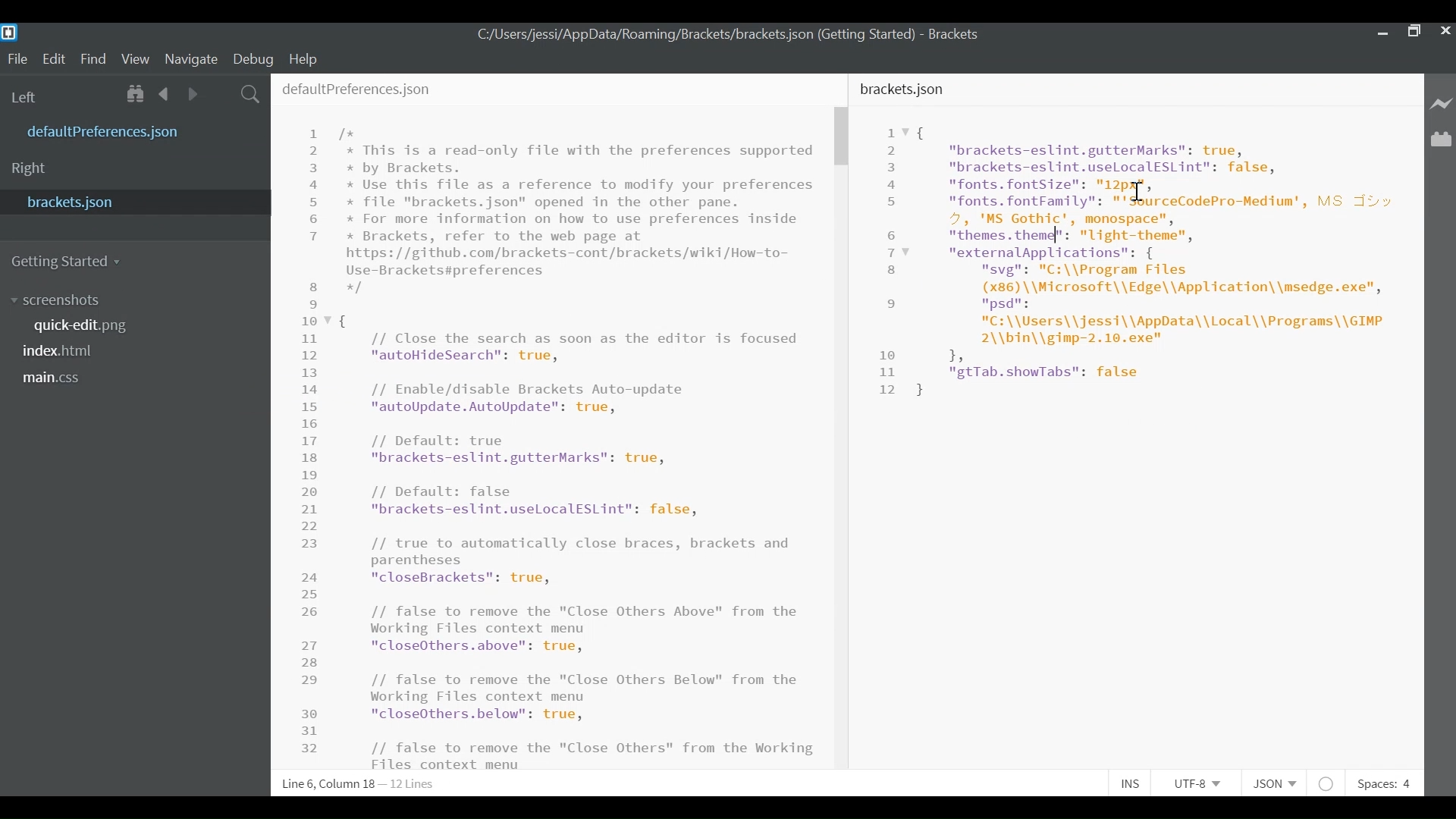 Image resolution: width=1456 pixels, height=819 pixels. What do you see at coordinates (57, 379) in the screenshot?
I see `main.css` at bounding box center [57, 379].